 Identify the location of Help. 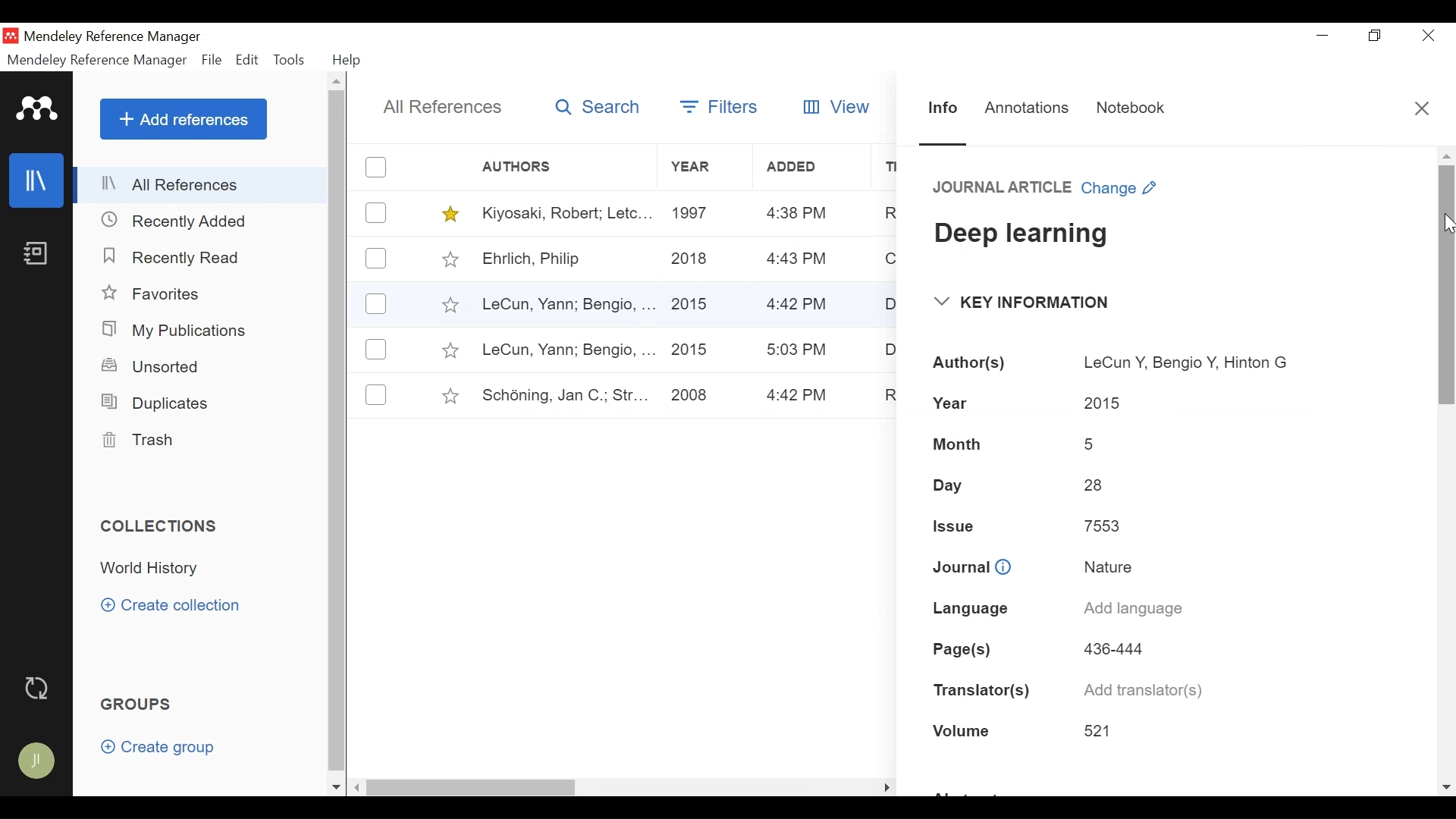
(348, 60).